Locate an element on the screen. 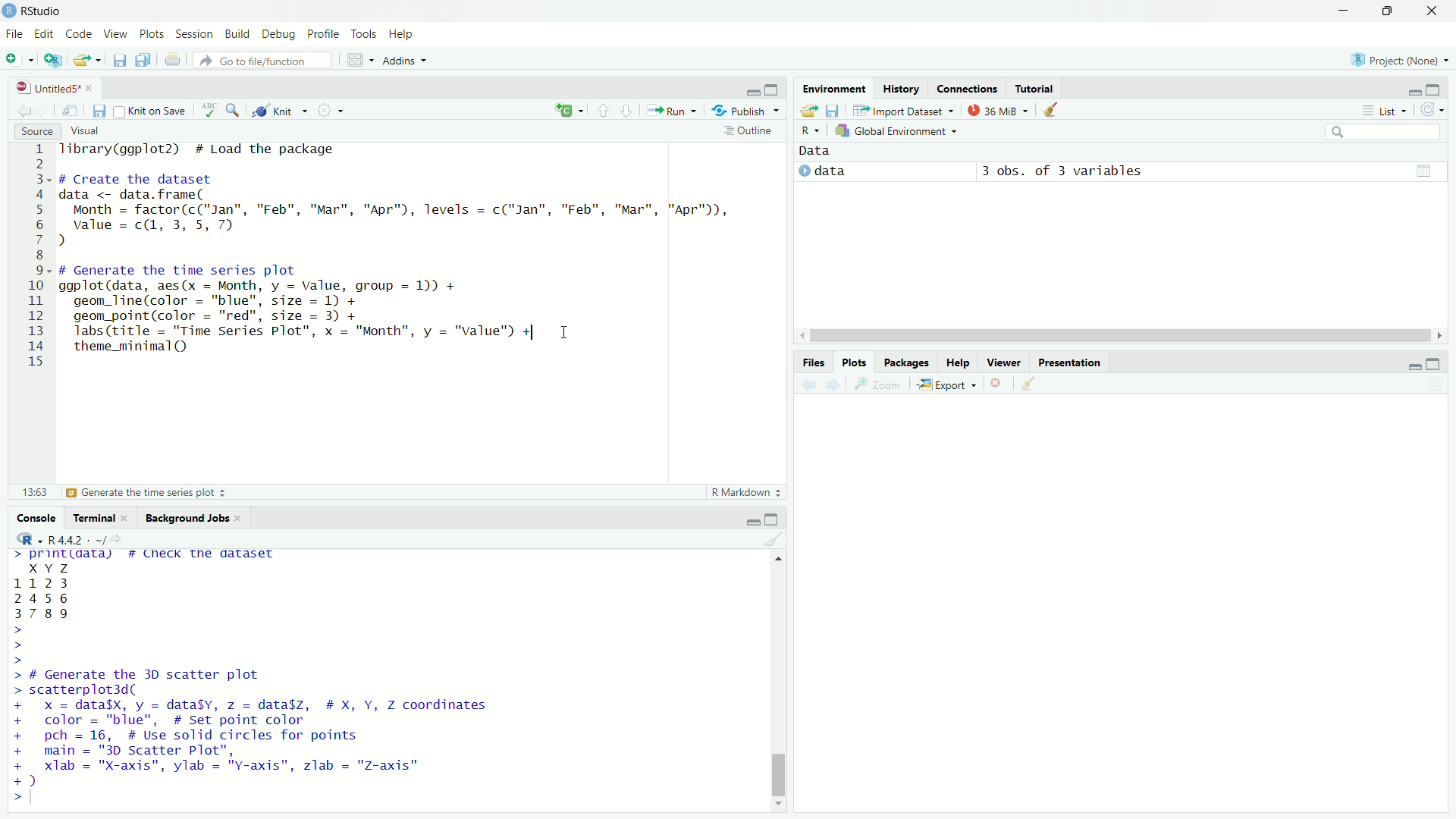 The image size is (1456, 819). source is located at coordinates (34, 131).